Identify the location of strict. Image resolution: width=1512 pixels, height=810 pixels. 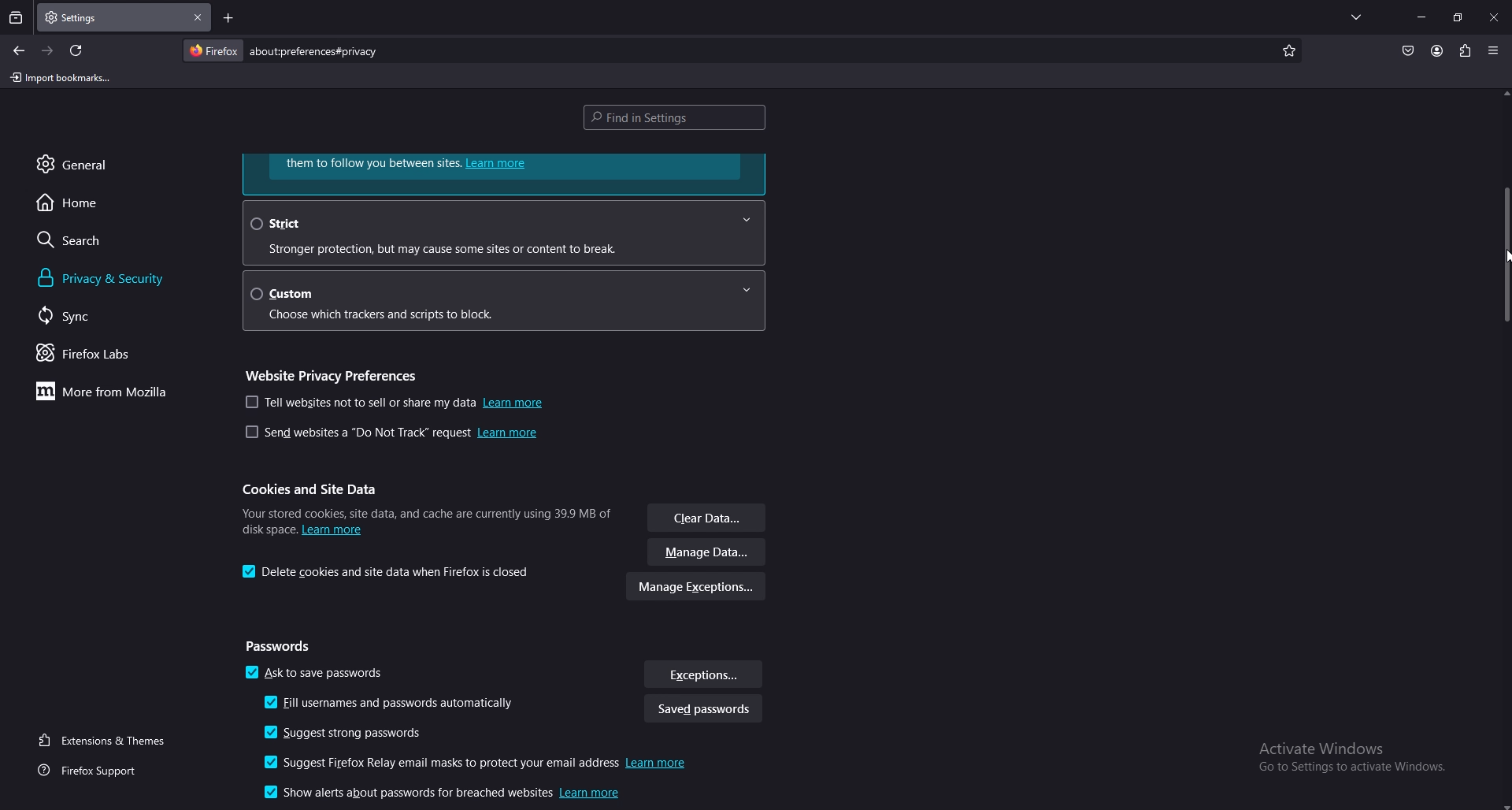
(502, 232).